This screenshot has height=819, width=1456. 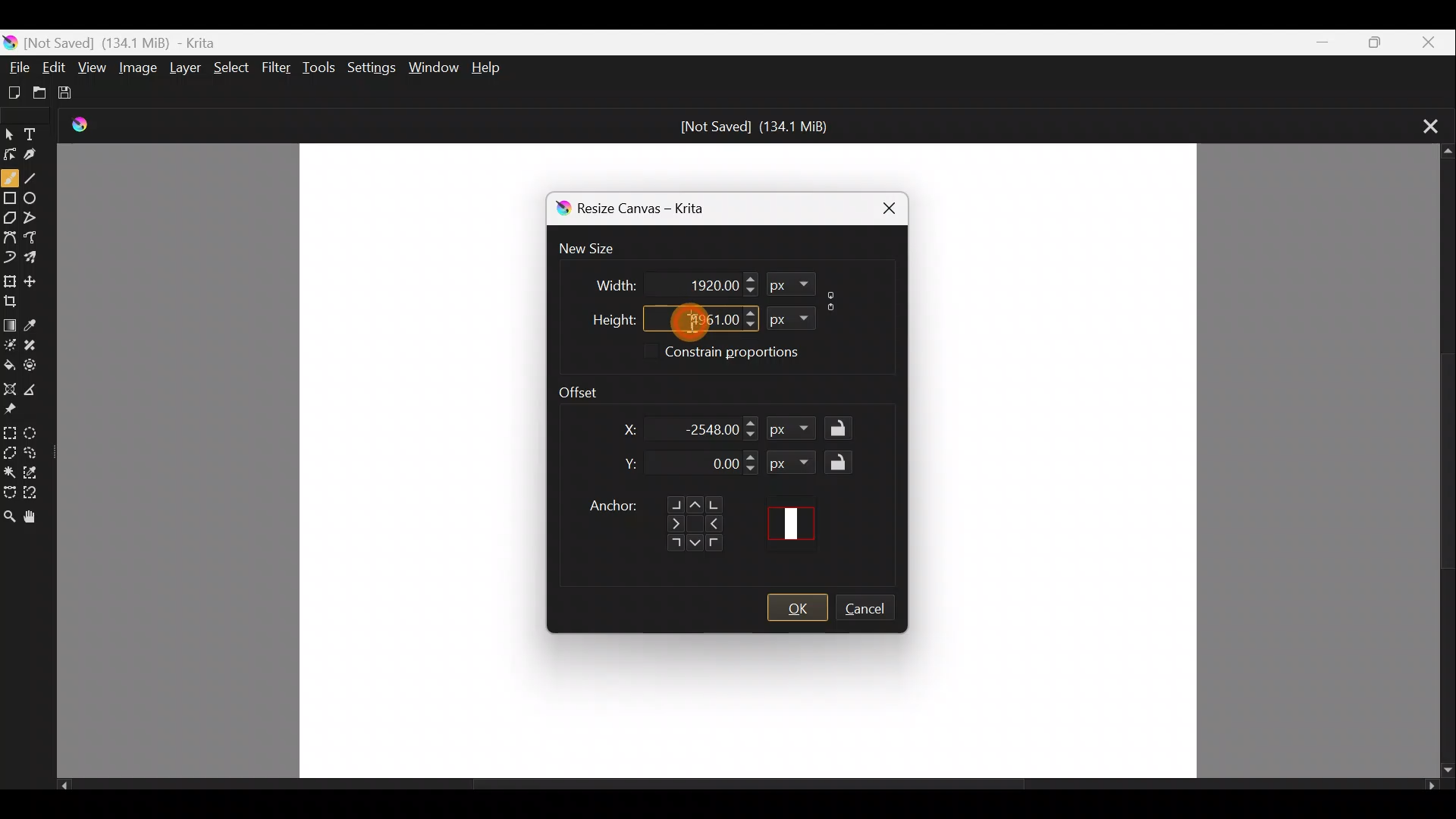 What do you see at coordinates (790, 284) in the screenshot?
I see `Format` at bounding box center [790, 284].